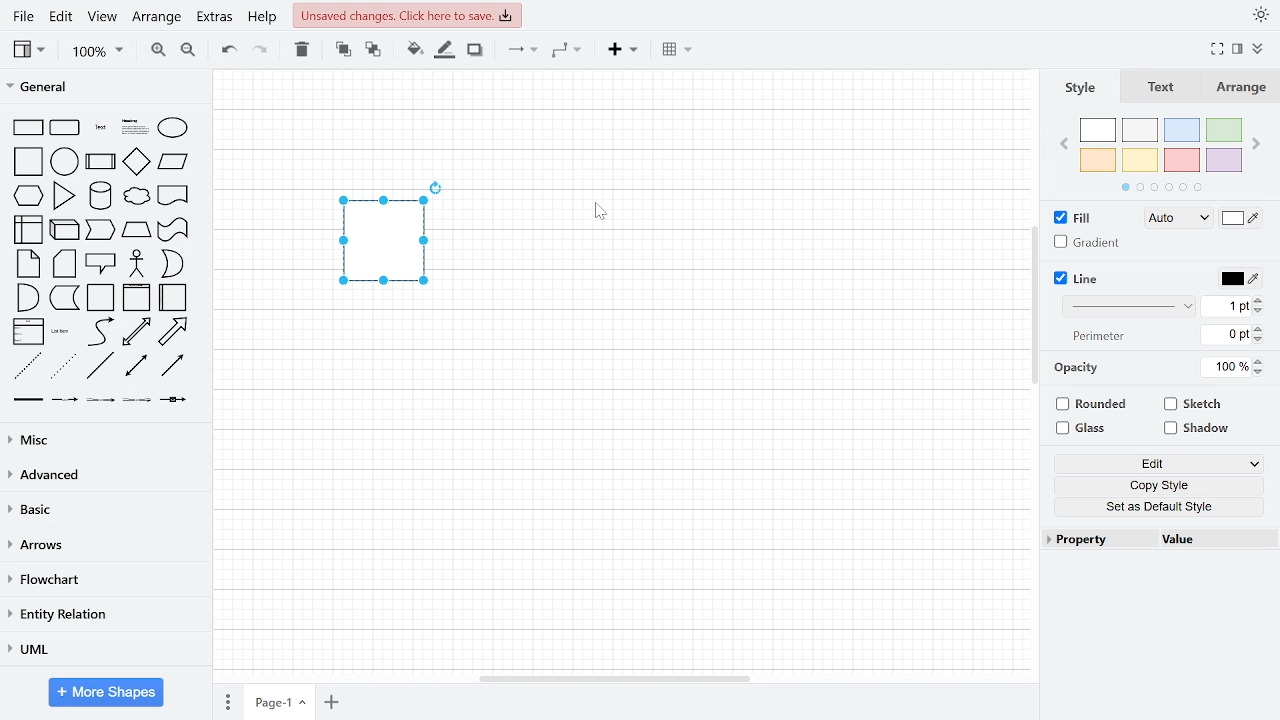 Image resolution: width=1280 pixels, height=720 pixels. What do you see at coordinates (64, 400) in the screenshot?
I see `connector with label` at bounding box center [64, 400].